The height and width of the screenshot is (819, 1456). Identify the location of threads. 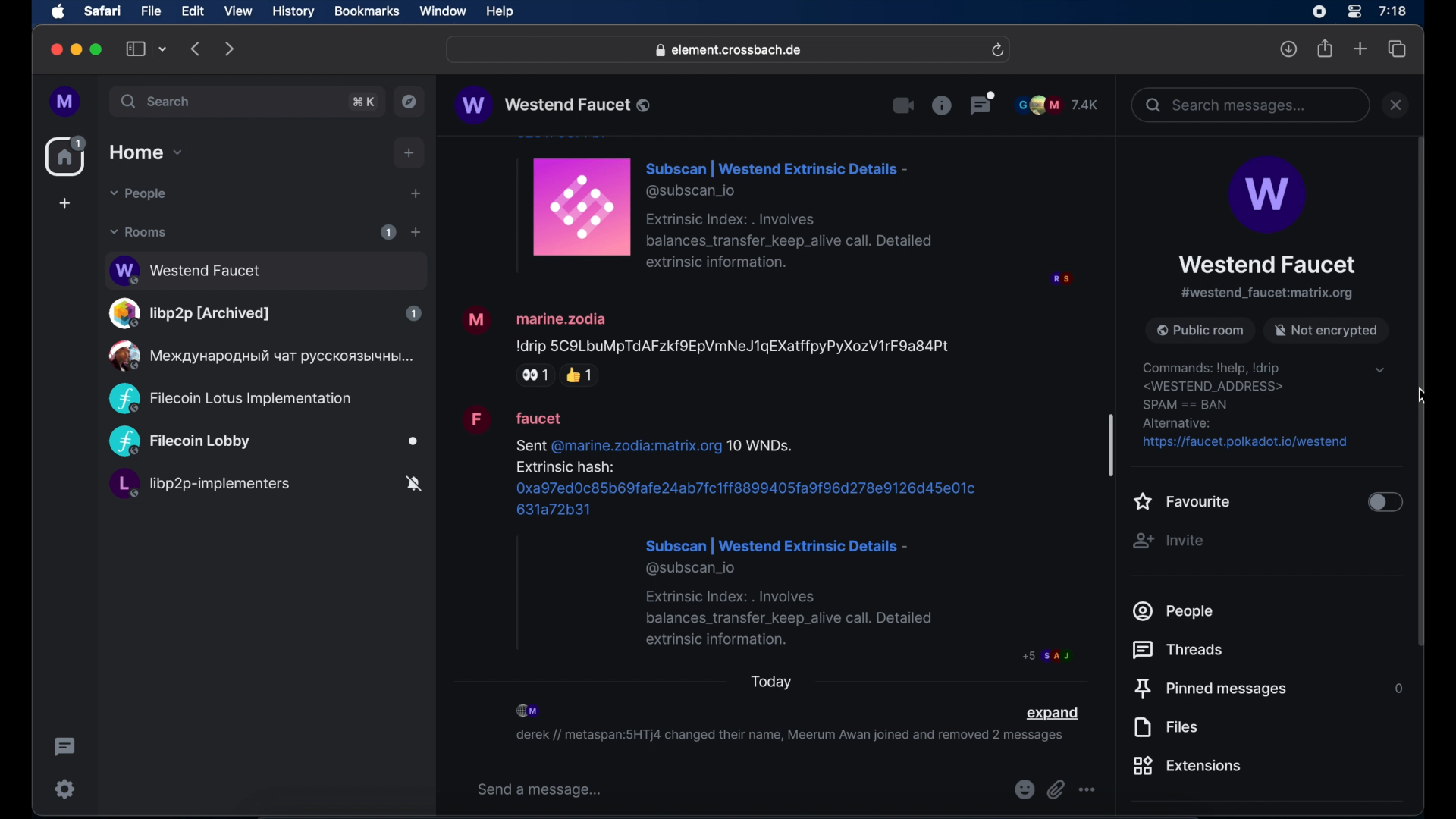
(983, 102).